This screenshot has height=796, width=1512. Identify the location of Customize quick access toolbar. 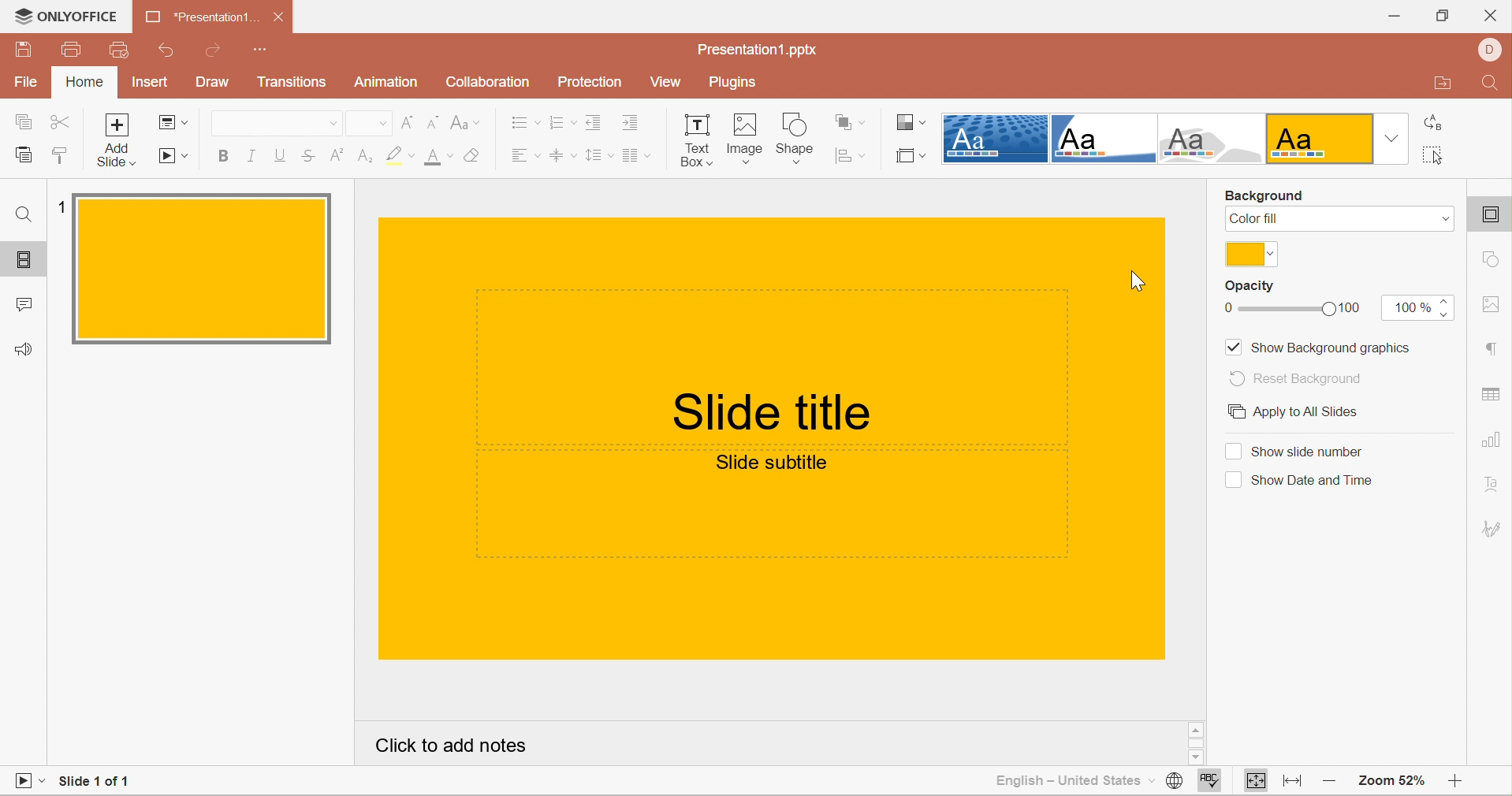
(266, 50).